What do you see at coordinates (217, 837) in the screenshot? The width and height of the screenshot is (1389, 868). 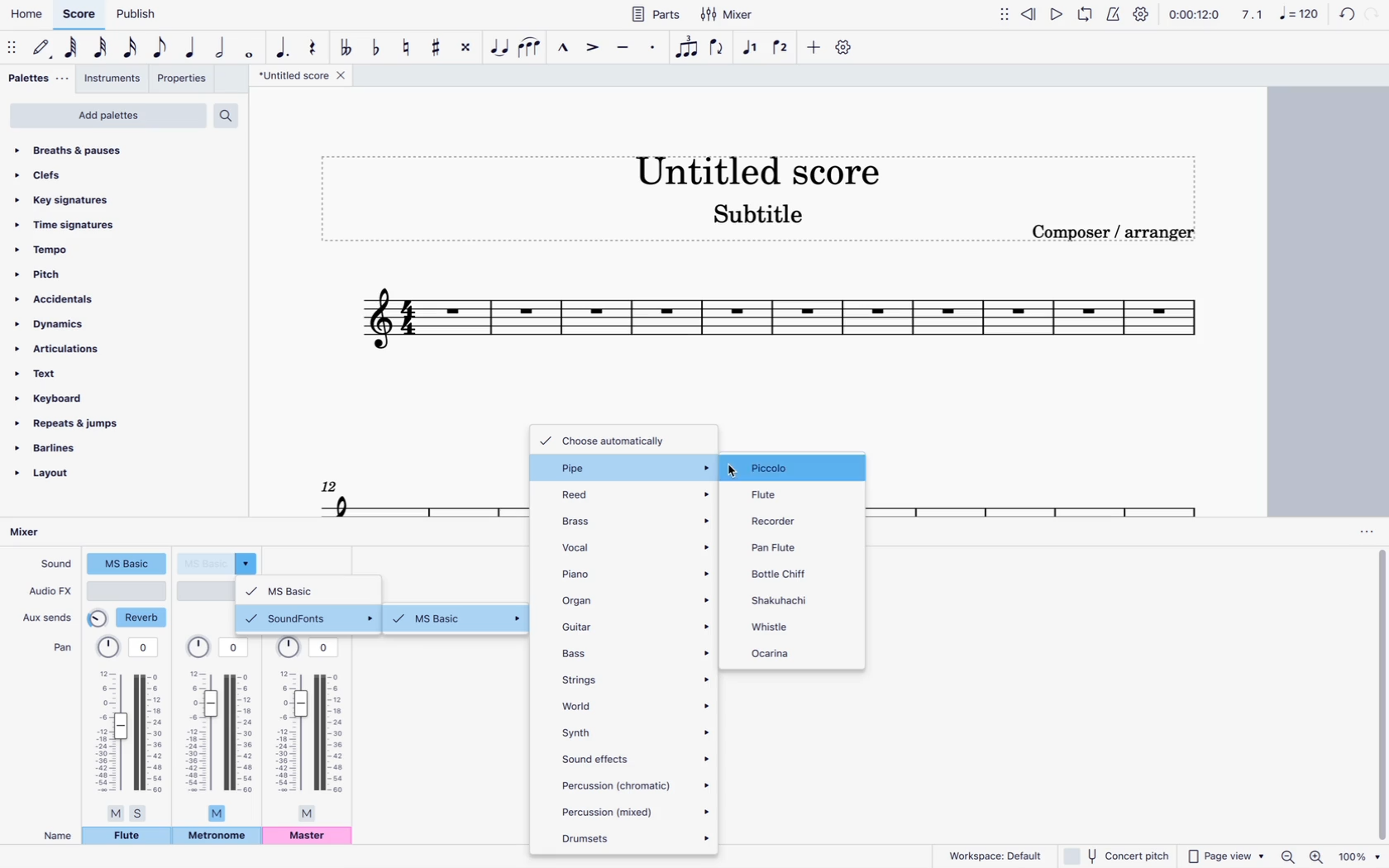 I see `metronome` at bounding box center [217, 837].